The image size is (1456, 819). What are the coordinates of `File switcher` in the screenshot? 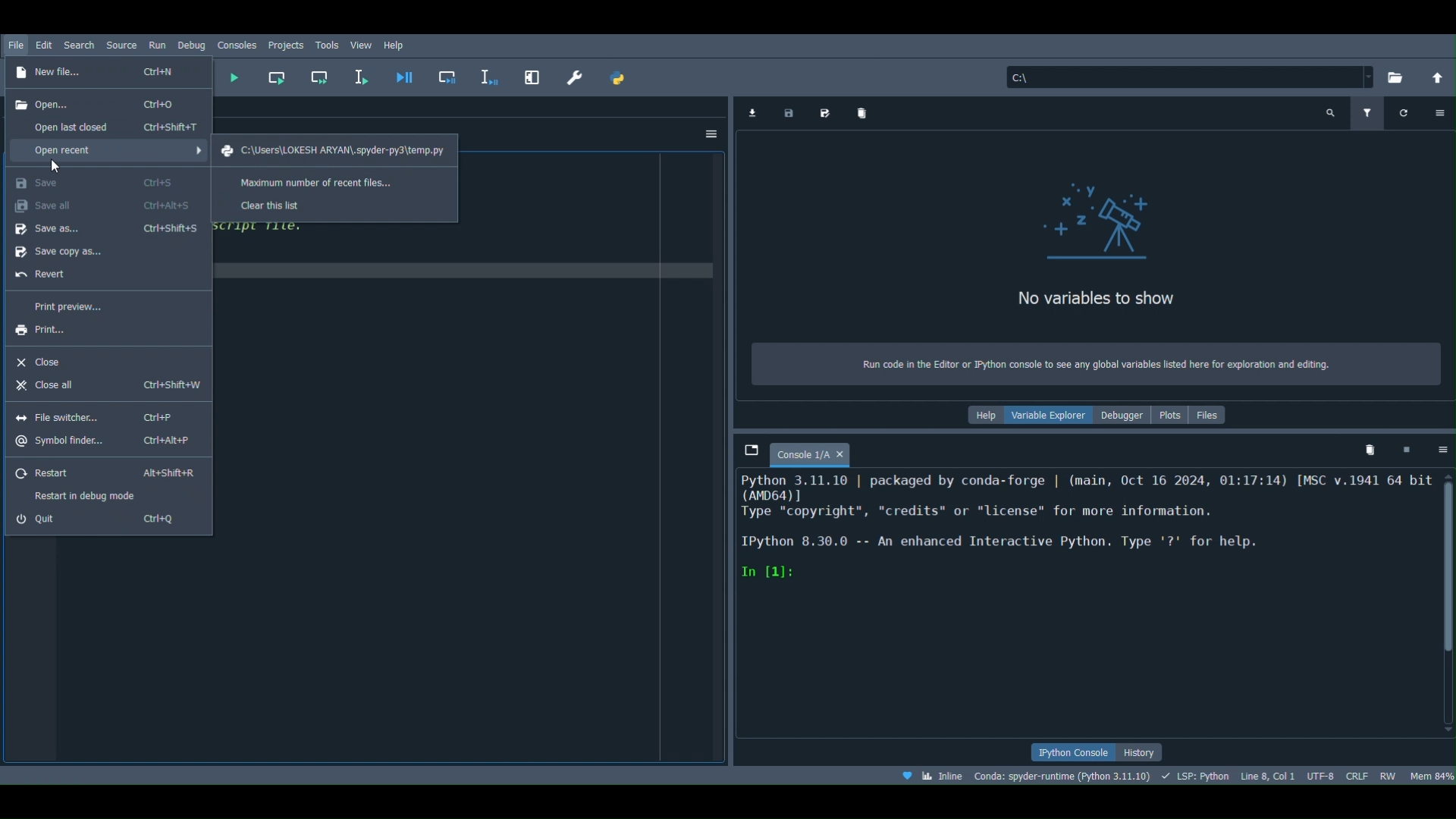 It's located at (90, 416).